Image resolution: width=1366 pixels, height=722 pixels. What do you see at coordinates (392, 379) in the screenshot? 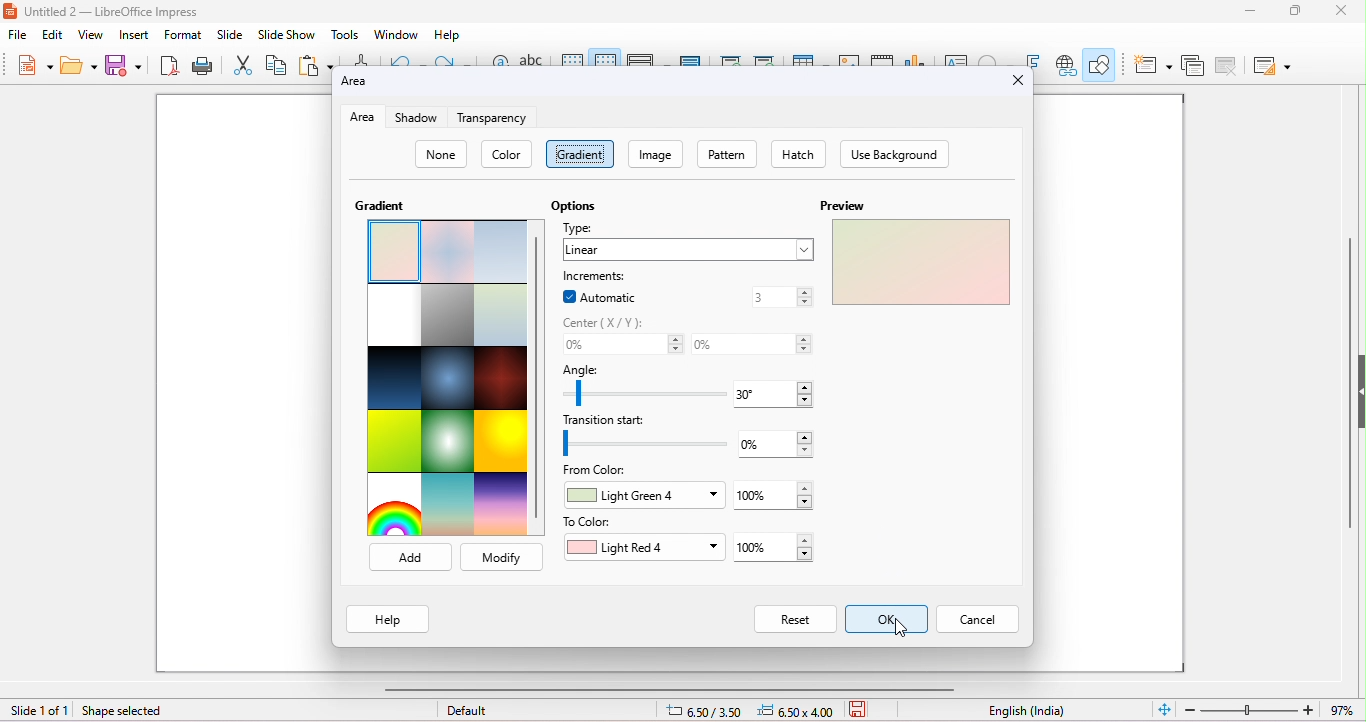
I see `Gradient option 7` at bounding box center [392, 379].